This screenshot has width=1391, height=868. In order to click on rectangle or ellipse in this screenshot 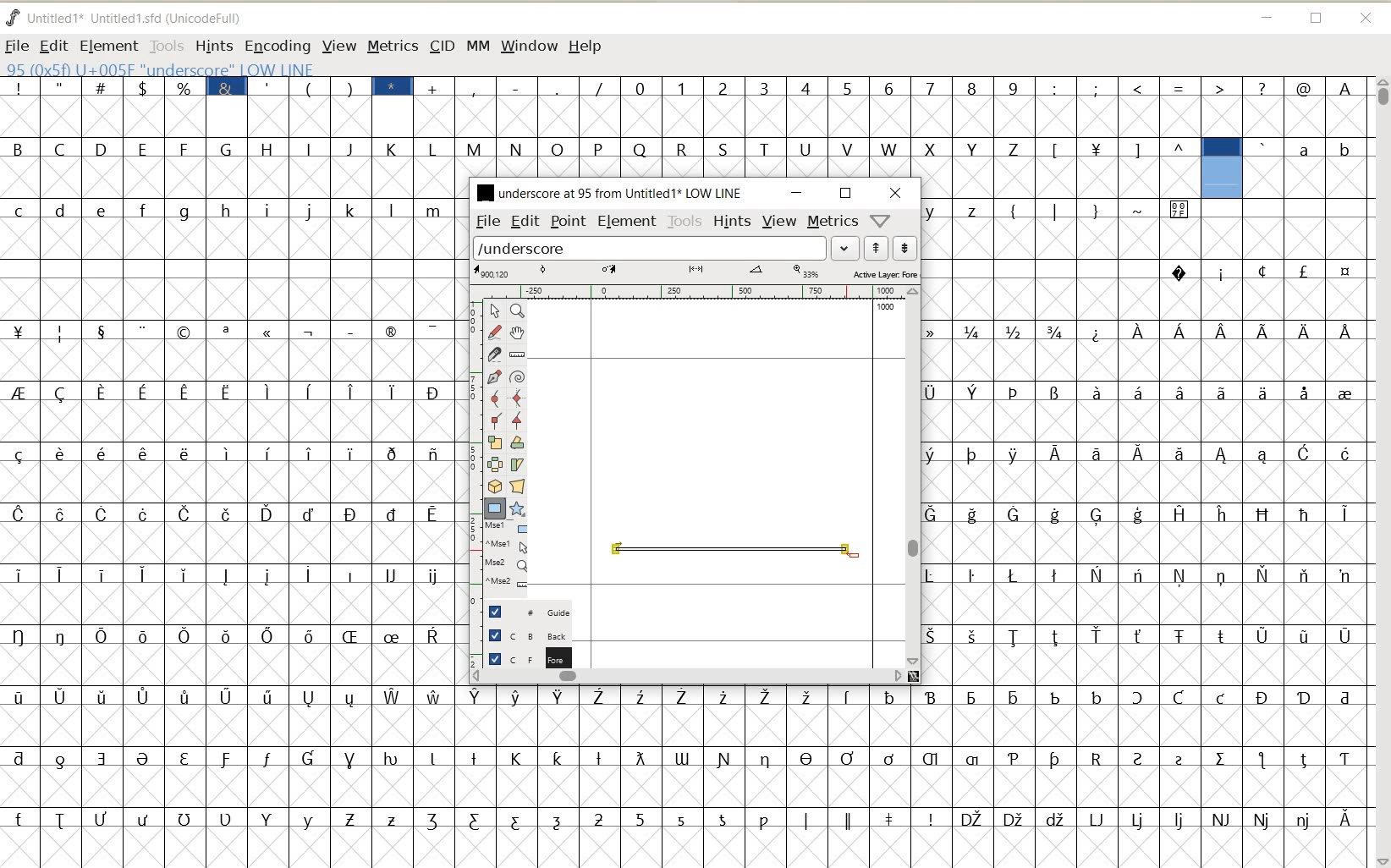, I will do `click(496, 508)`.